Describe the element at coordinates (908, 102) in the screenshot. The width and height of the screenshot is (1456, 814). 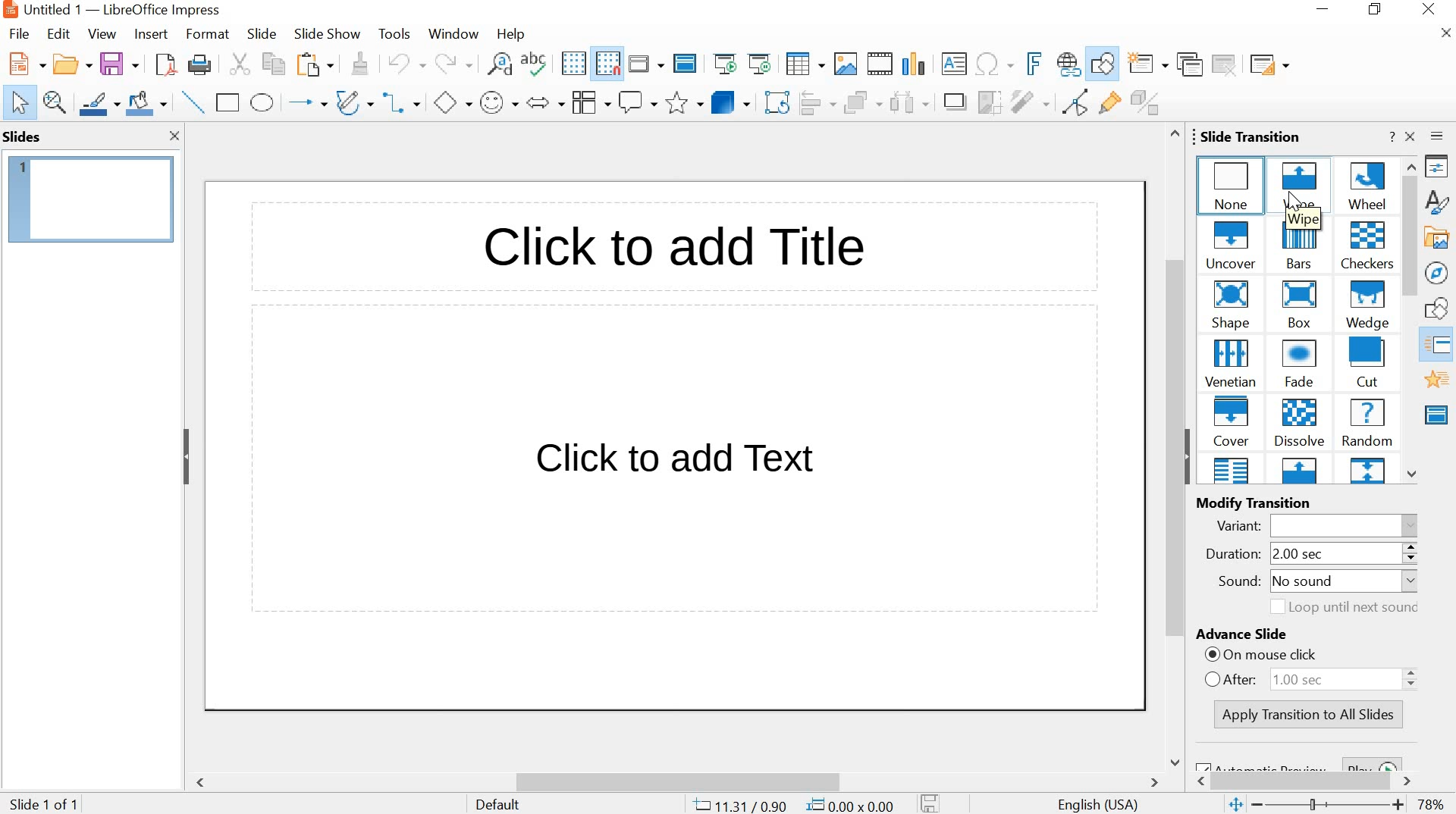
I see `select at least three objects to distribute` at that location.